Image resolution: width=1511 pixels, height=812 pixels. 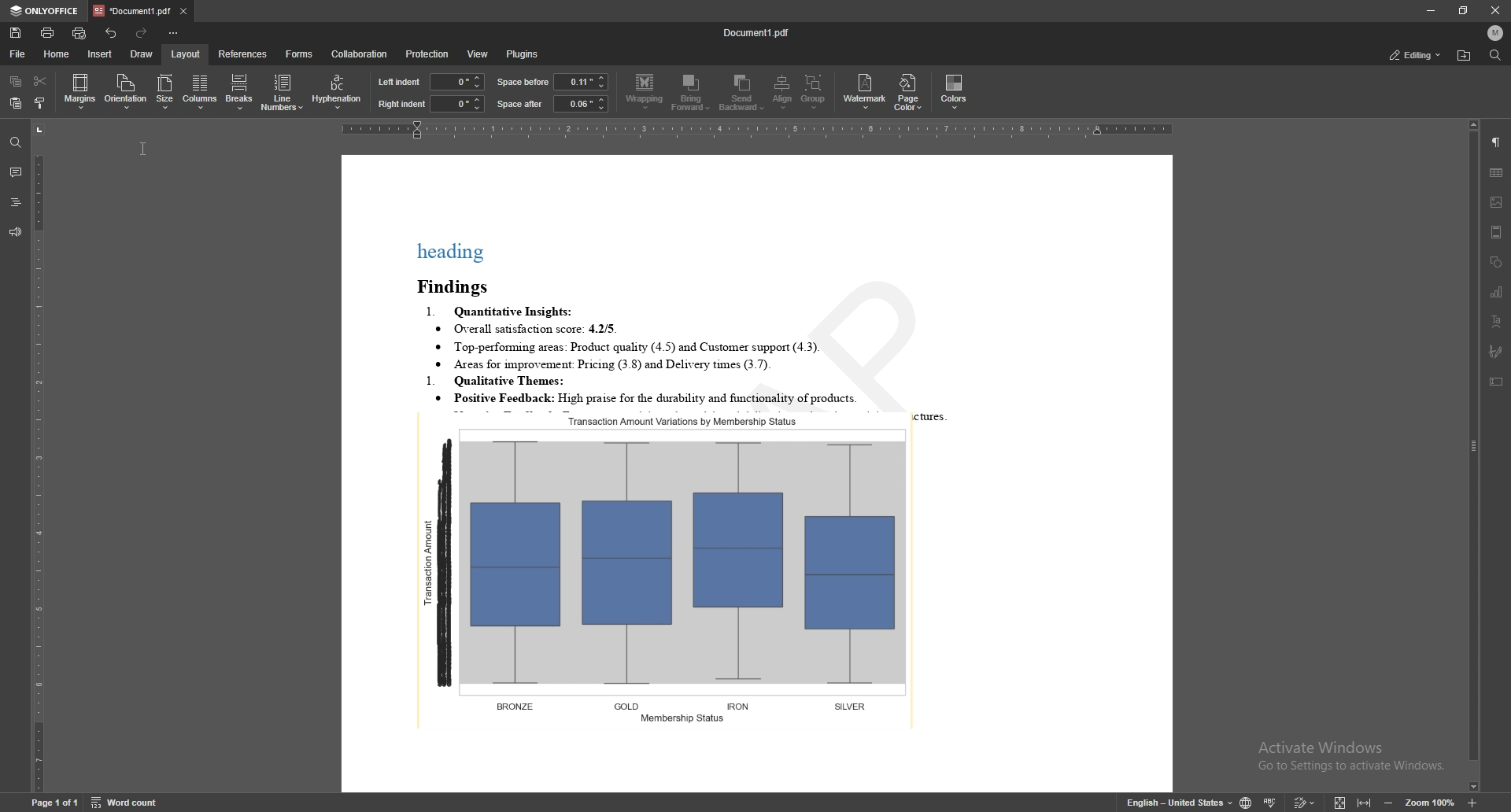 I want to click on input space after, so click(x=579, y=104).